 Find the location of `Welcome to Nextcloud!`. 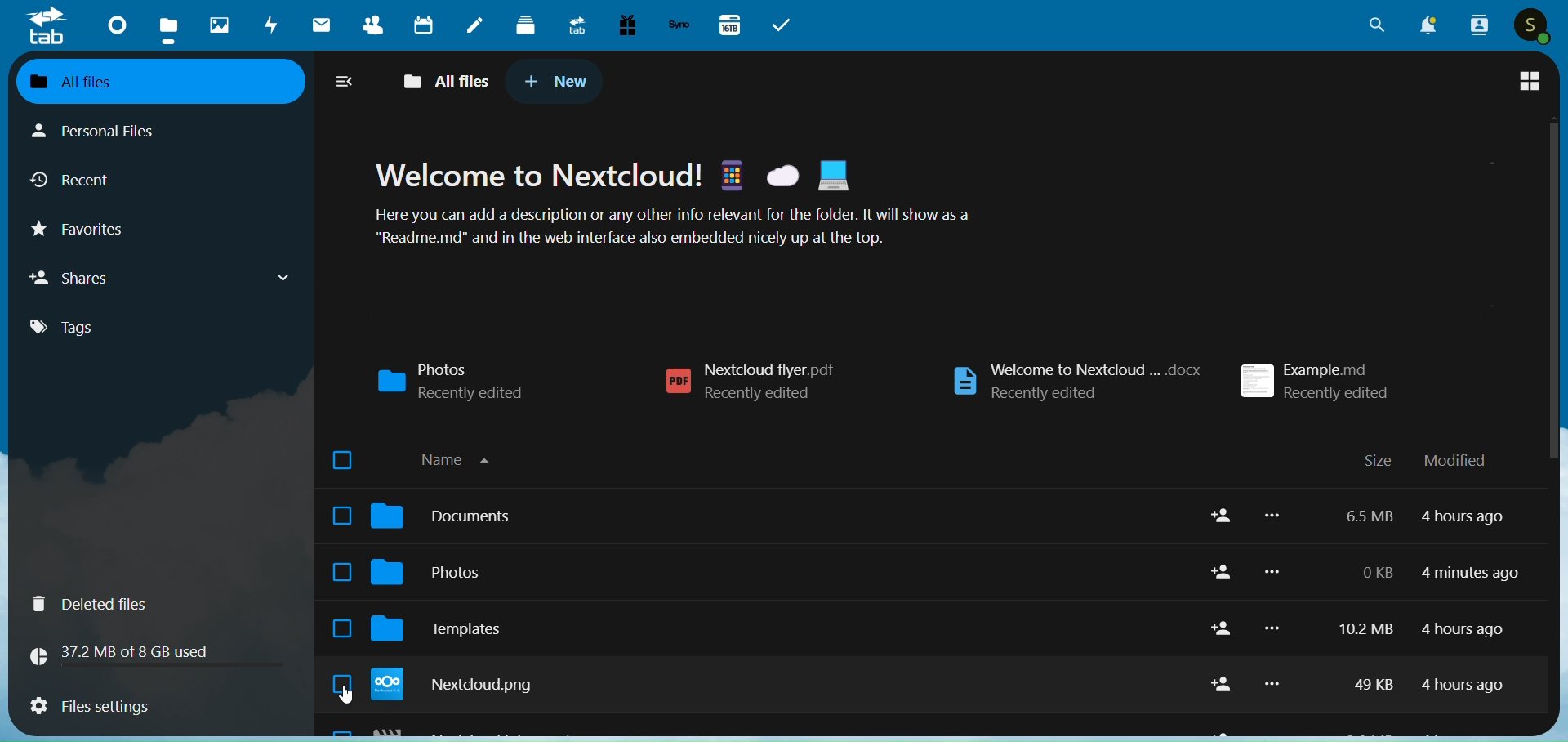

Welcome to Nextcloud! is located at coordinates (538, 174).